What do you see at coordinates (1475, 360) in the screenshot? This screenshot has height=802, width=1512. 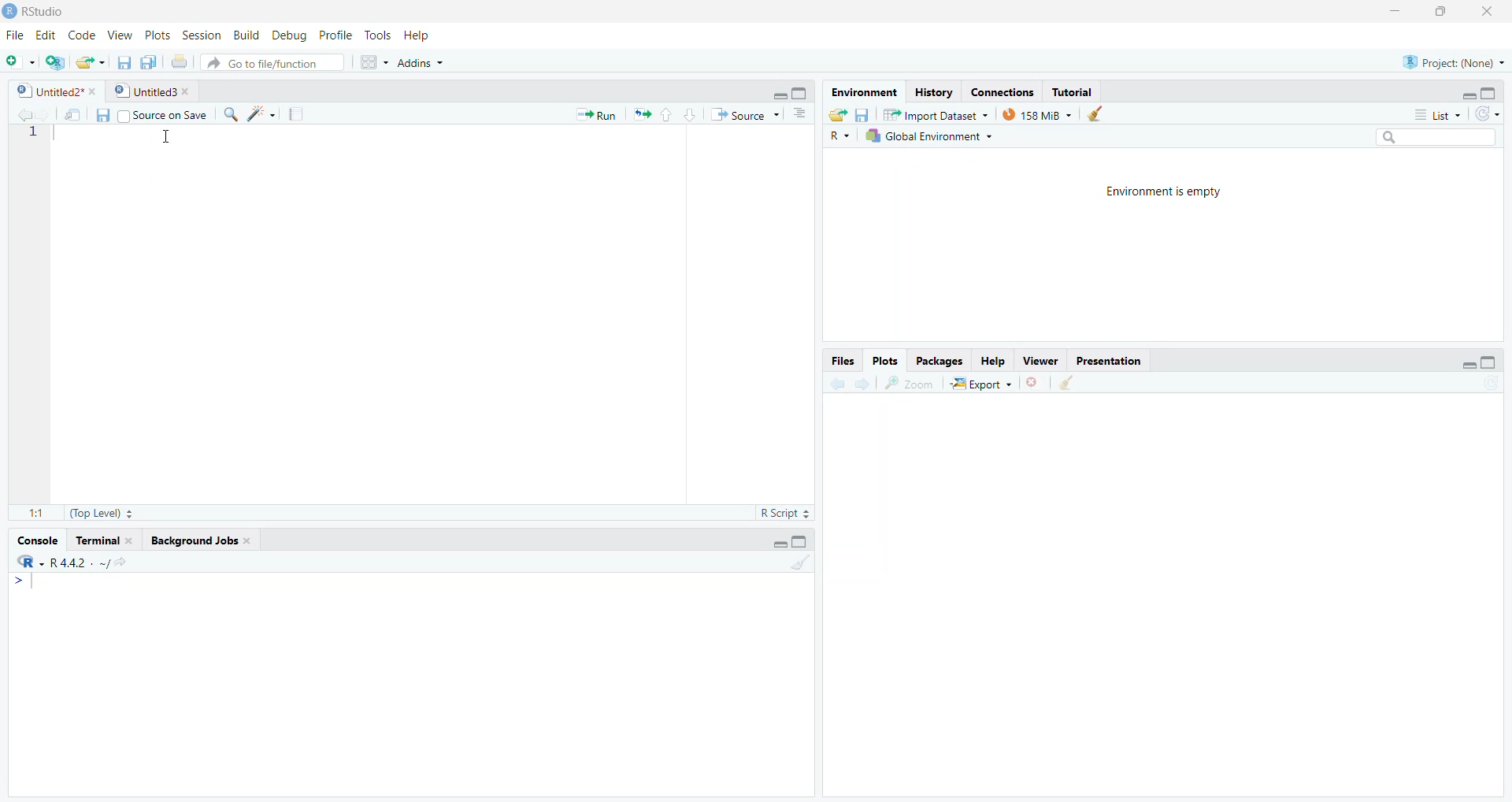 I see `Minimize/maximize` at bounding box center [1475, 360].